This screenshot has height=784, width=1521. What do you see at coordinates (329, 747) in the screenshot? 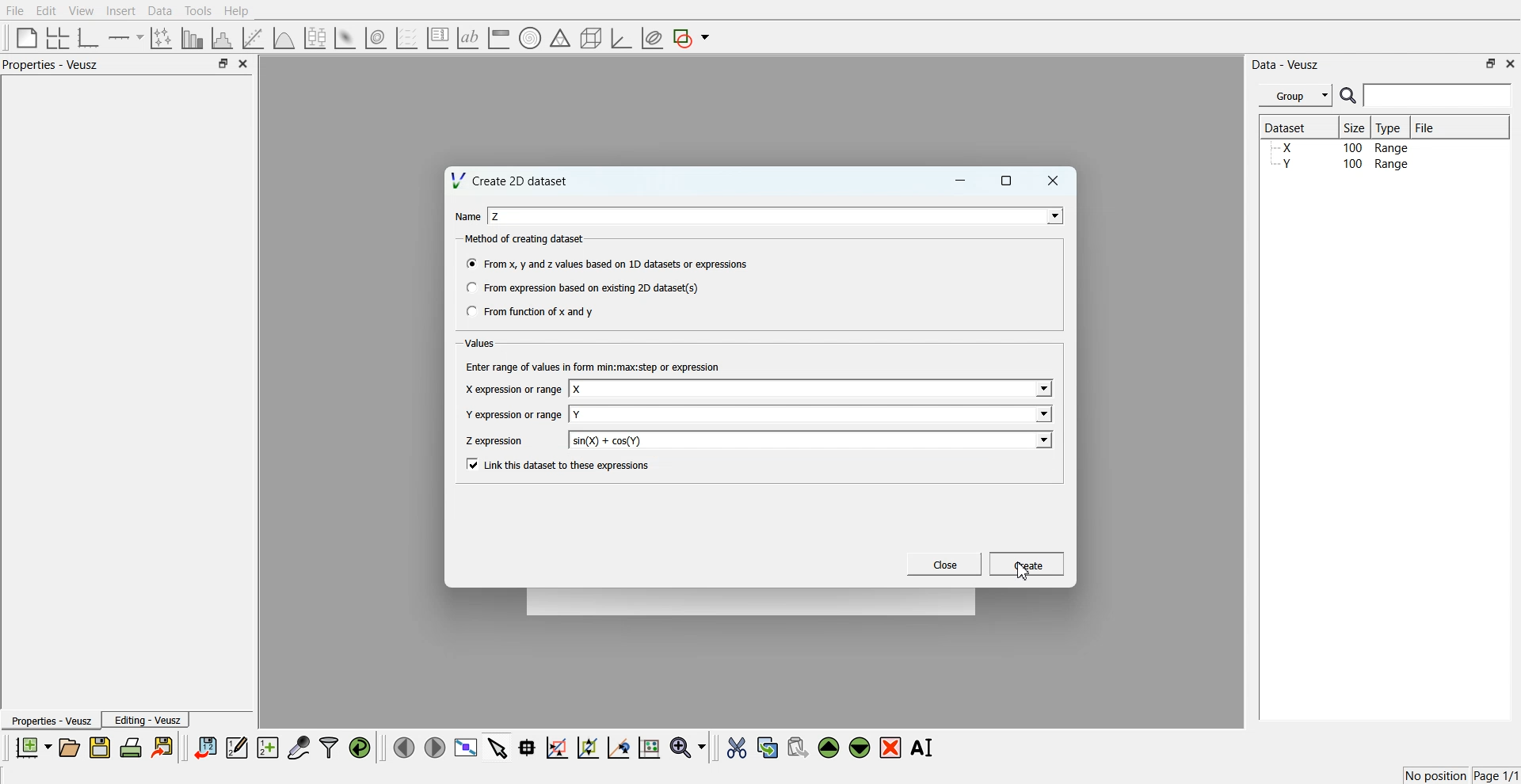
I see `Filter dataset` at bounding box center [329, 747].